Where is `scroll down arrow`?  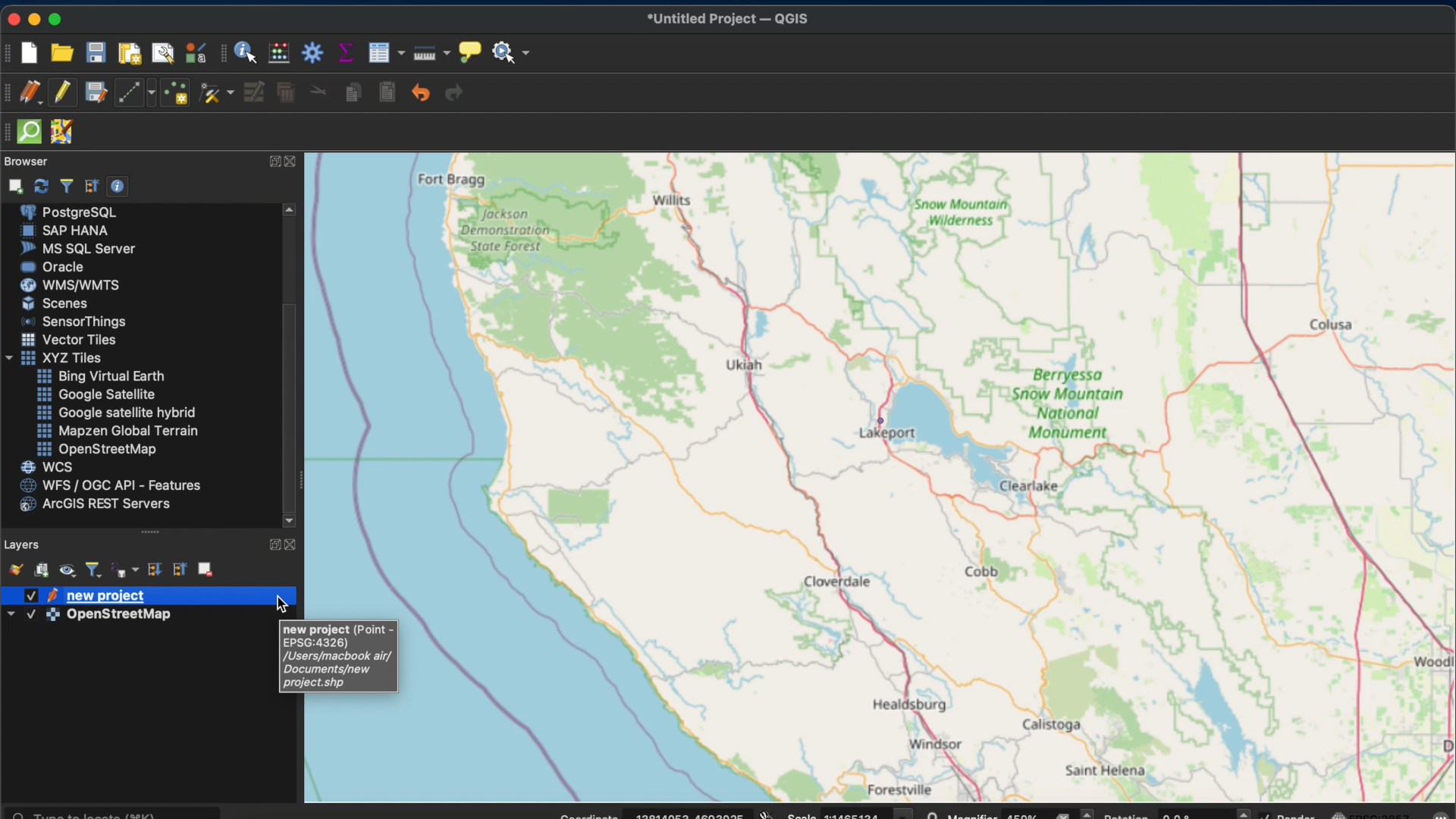
scroll down arrow is located at coordinates (292, 519).